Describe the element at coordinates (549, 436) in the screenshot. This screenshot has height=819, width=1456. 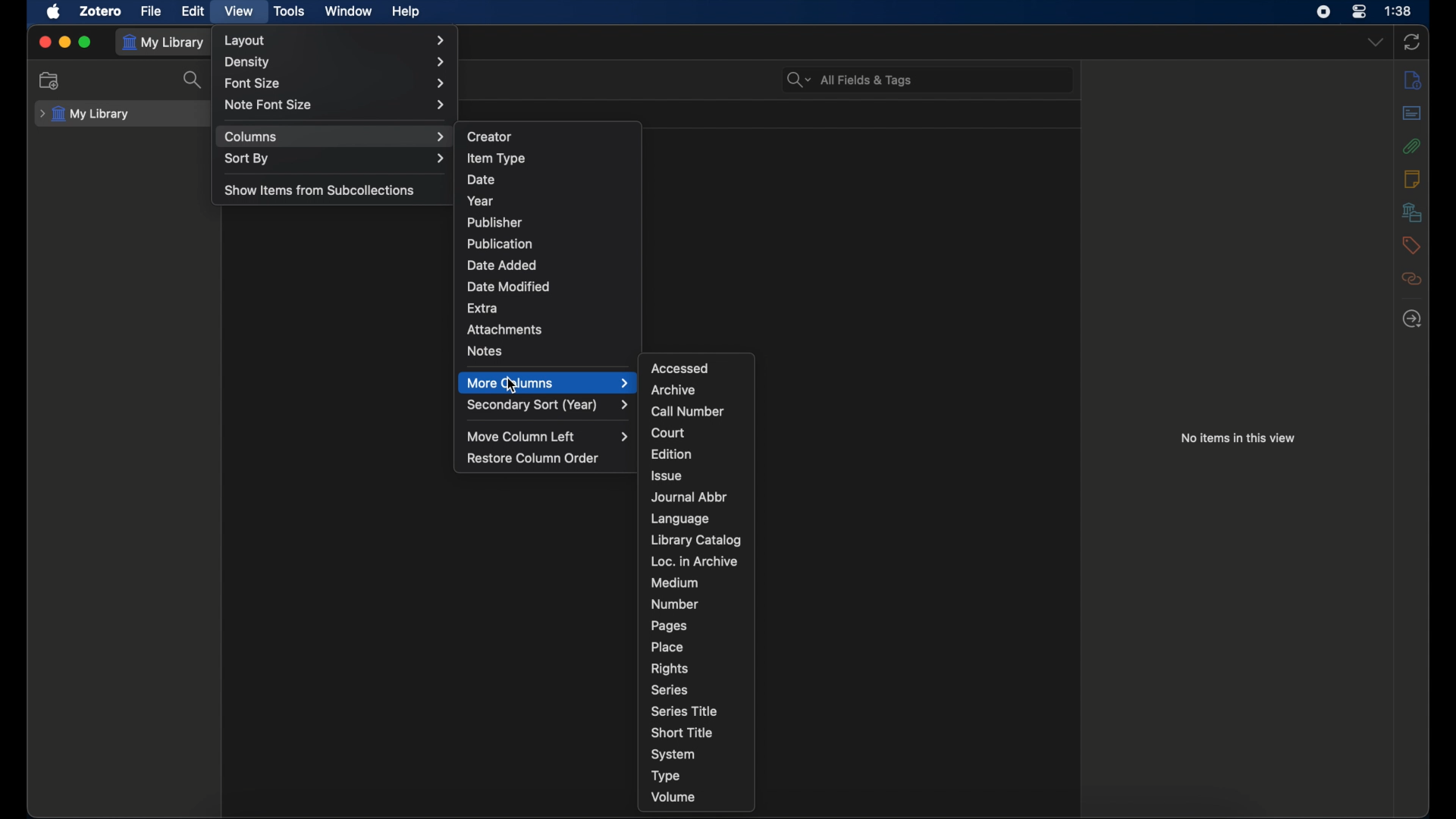
I see `move column left` at that location.